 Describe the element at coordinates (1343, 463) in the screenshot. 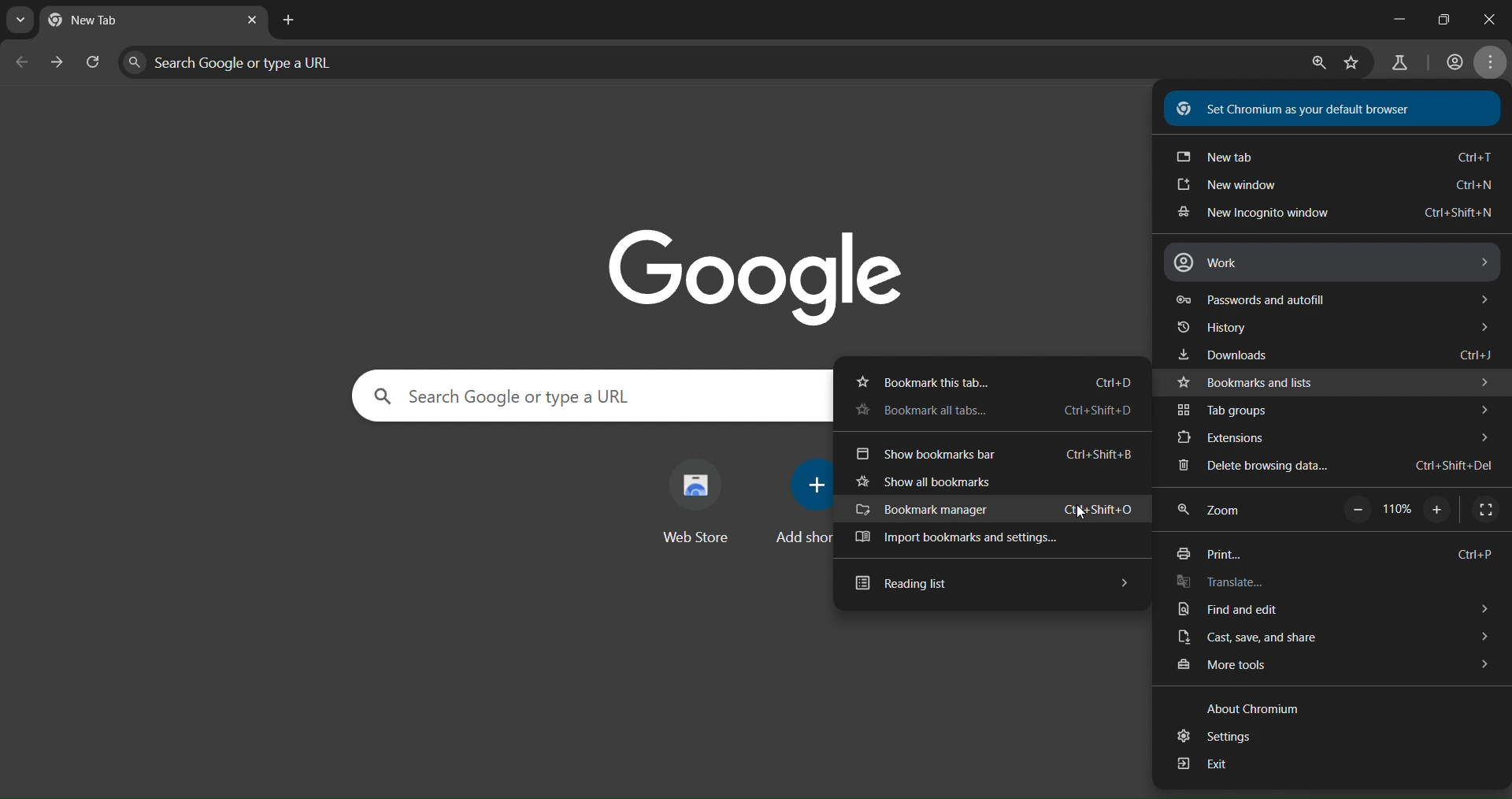

I see `delete browsing data` at that location.